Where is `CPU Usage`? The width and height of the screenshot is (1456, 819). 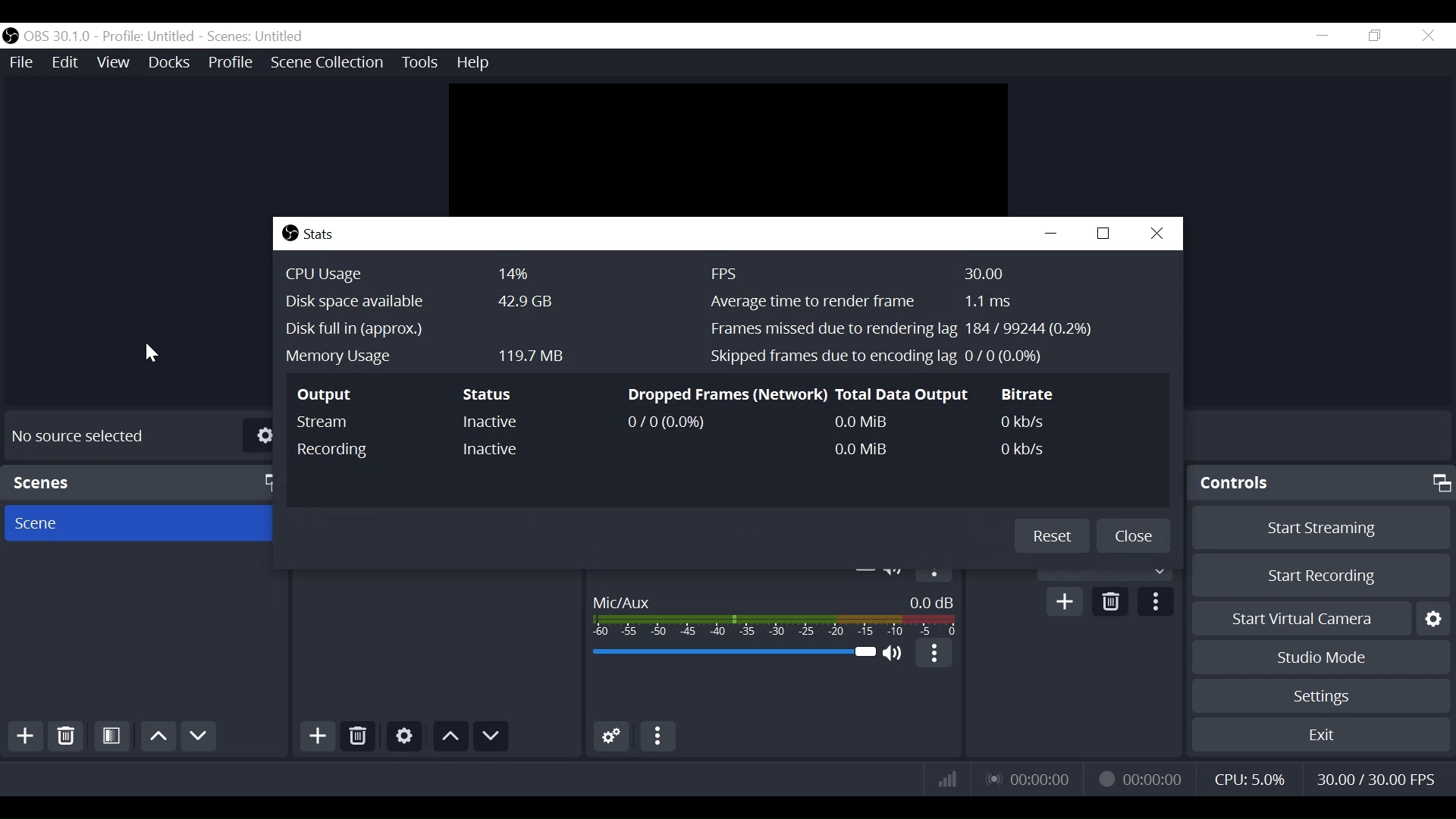
CPU Usage is located at coordinates (1252, 779).